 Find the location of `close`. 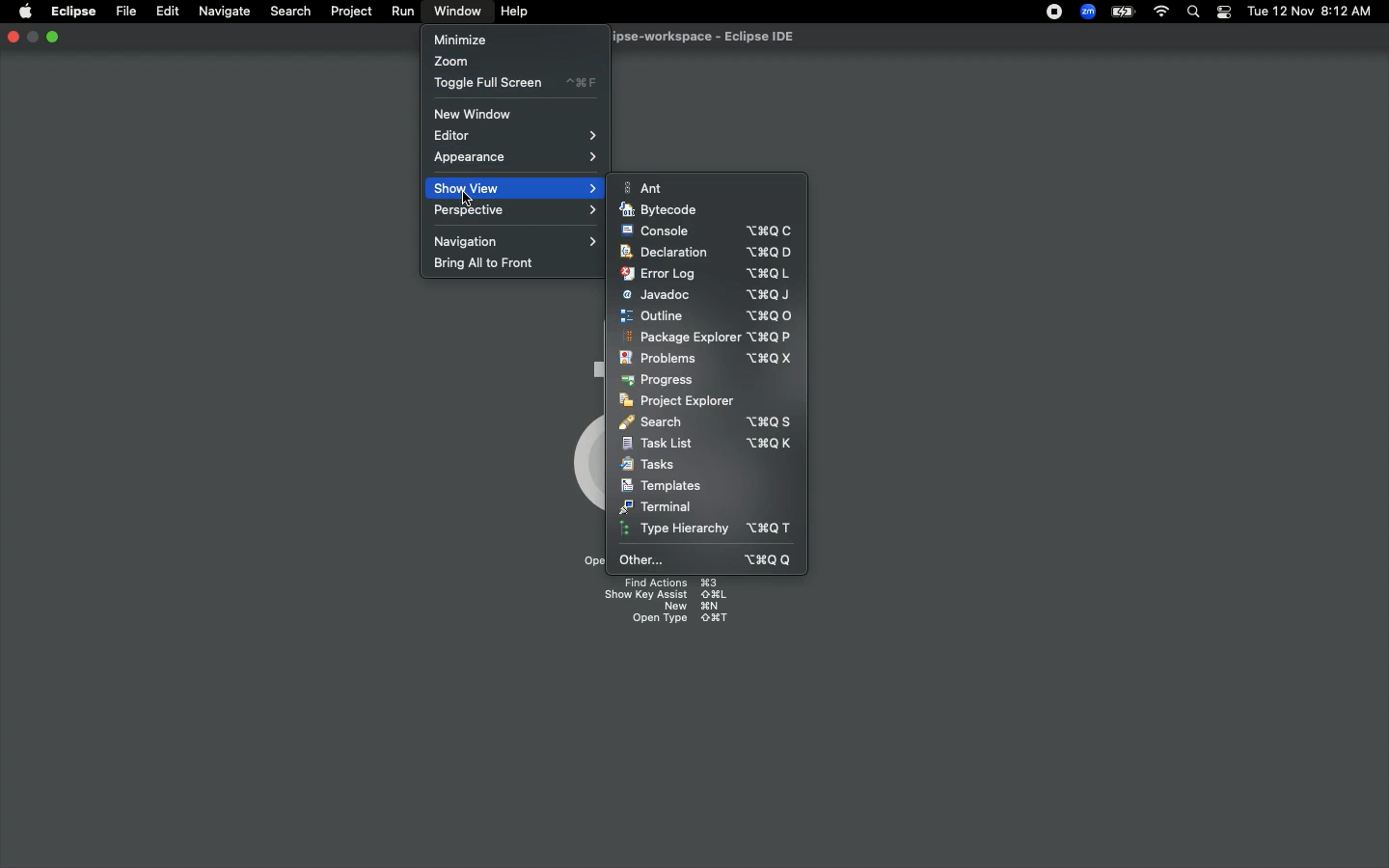

close is located at coordinates (13, 39).